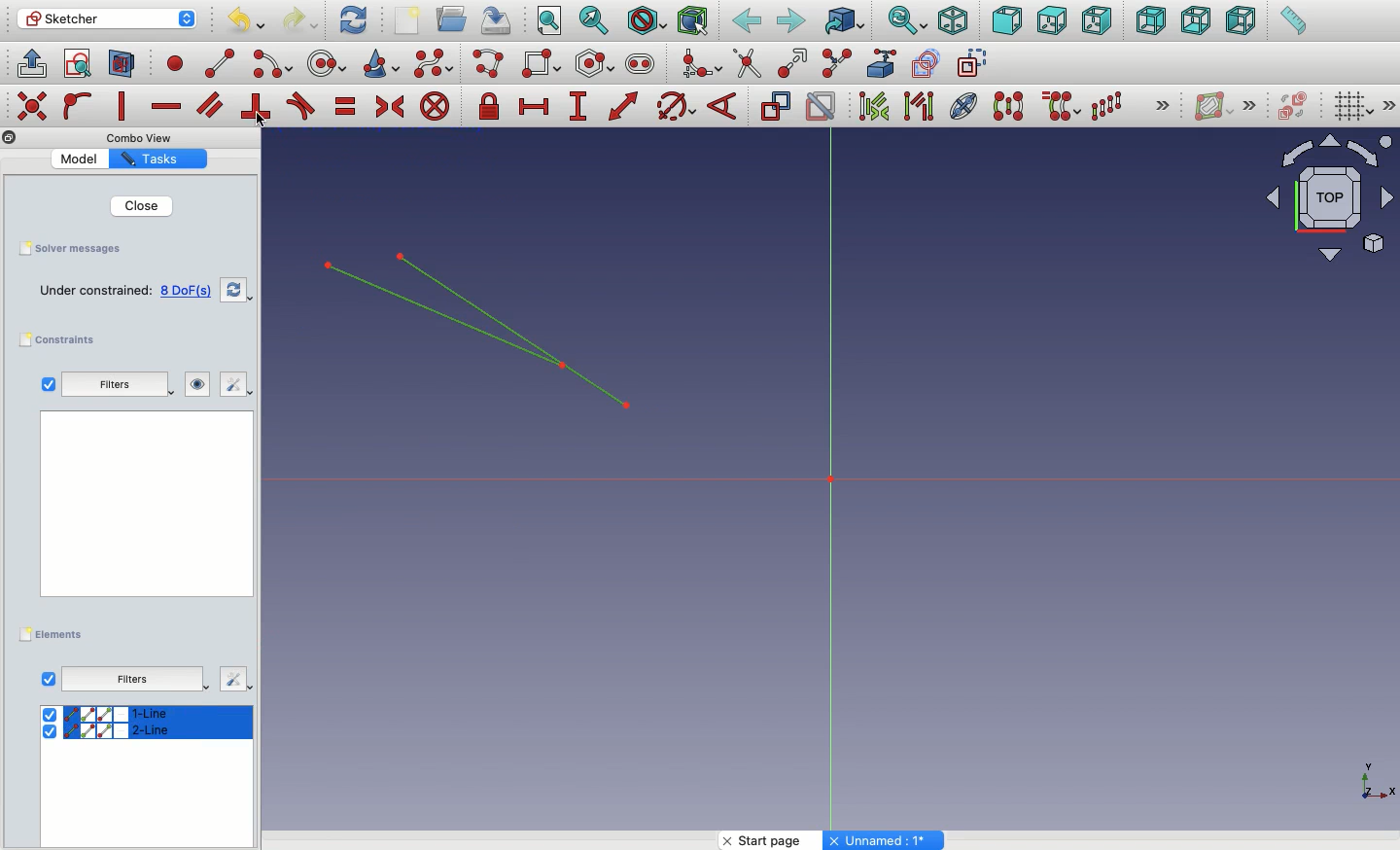 The width and height of the screenshot is (1400, 850). I want to click on Lines, so click(473, 331).